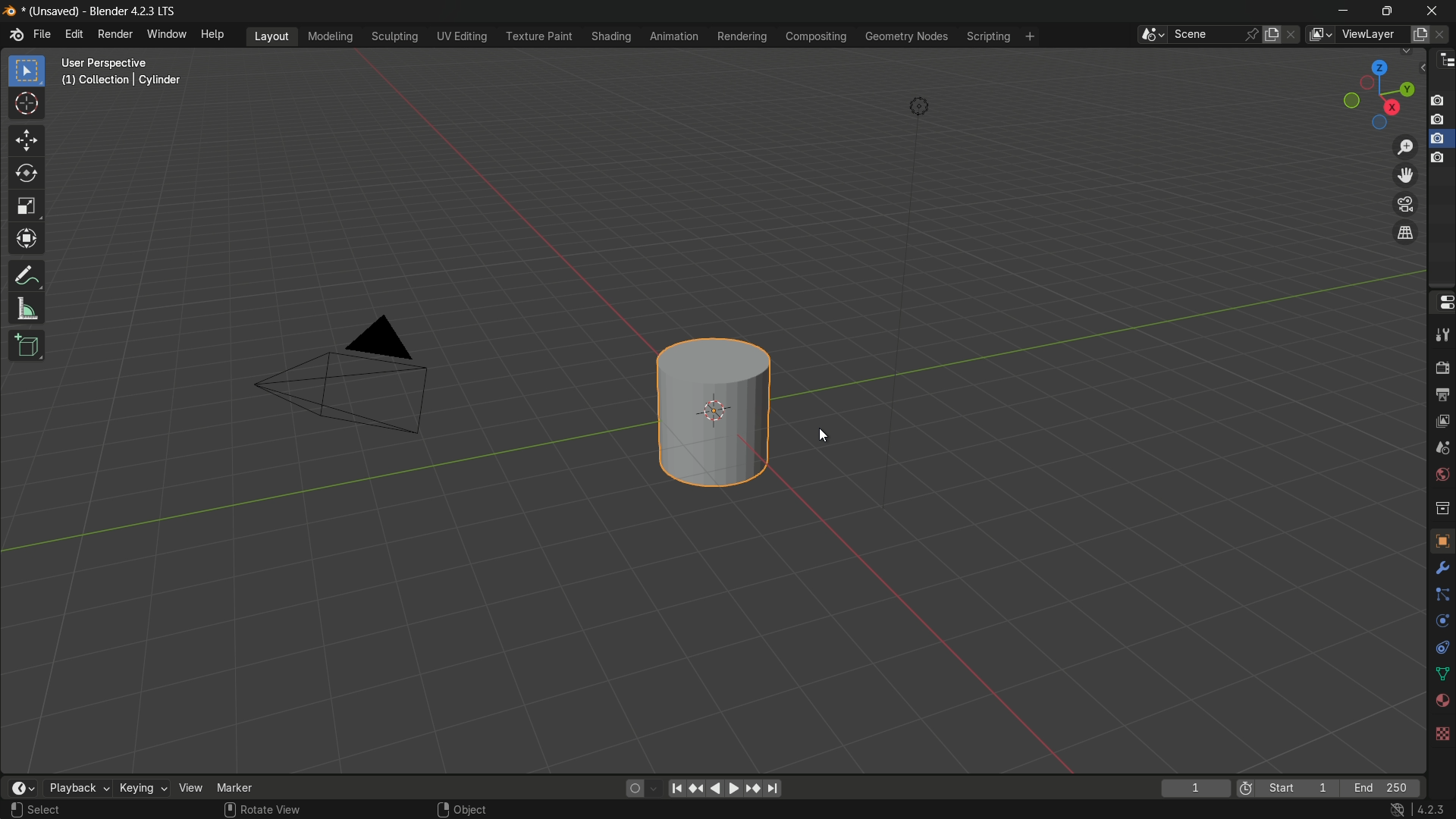 Image resolution: width=1456 pixels, height=819 pixels. Describe the element at coordinates (441, 809) in the screenshot. I see `right click` at that location.